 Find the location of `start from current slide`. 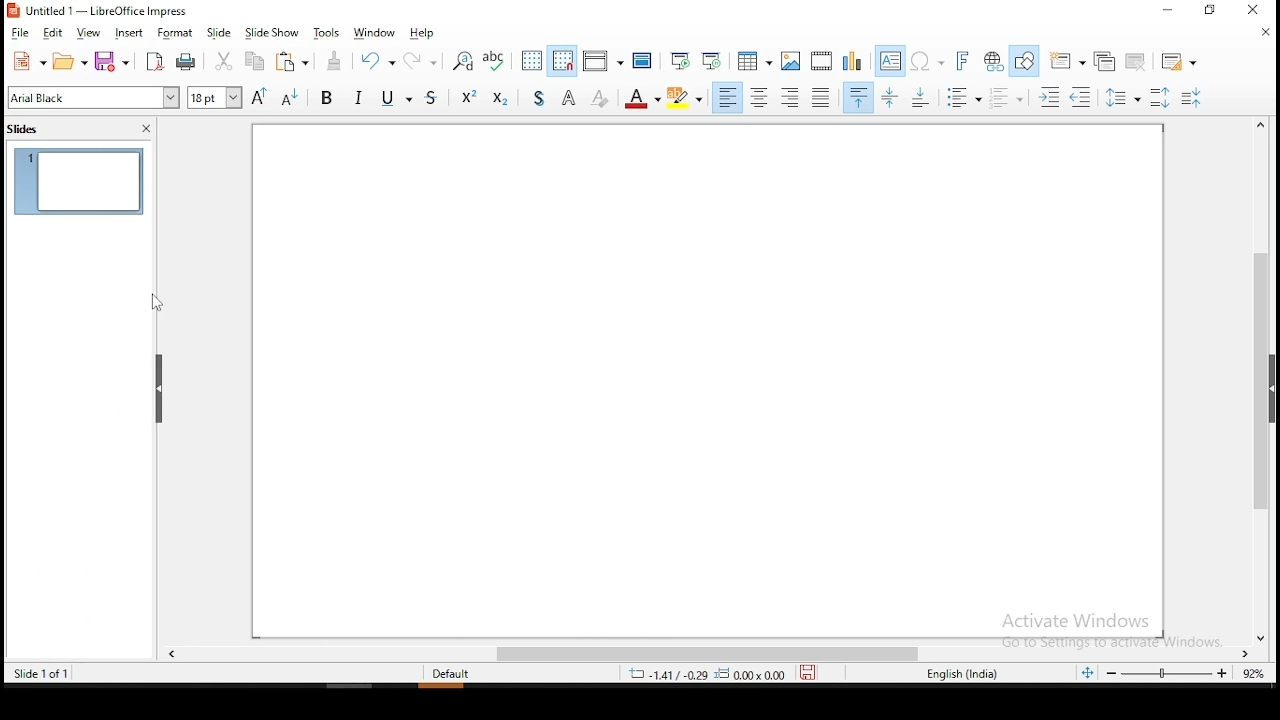

start from current slide is located at coordinates (714, 60).